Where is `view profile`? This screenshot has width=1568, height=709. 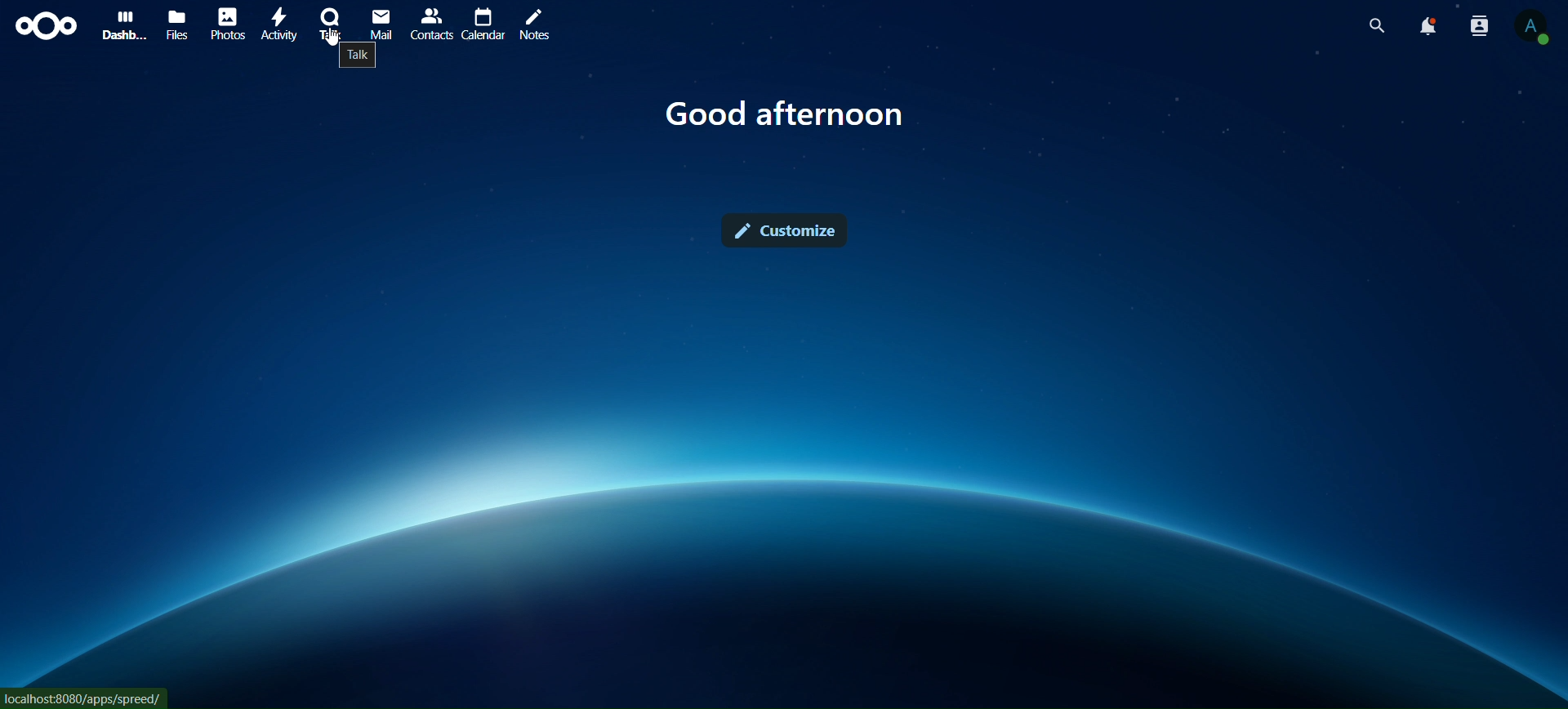
view profile is located at coordinates (1530, 28).